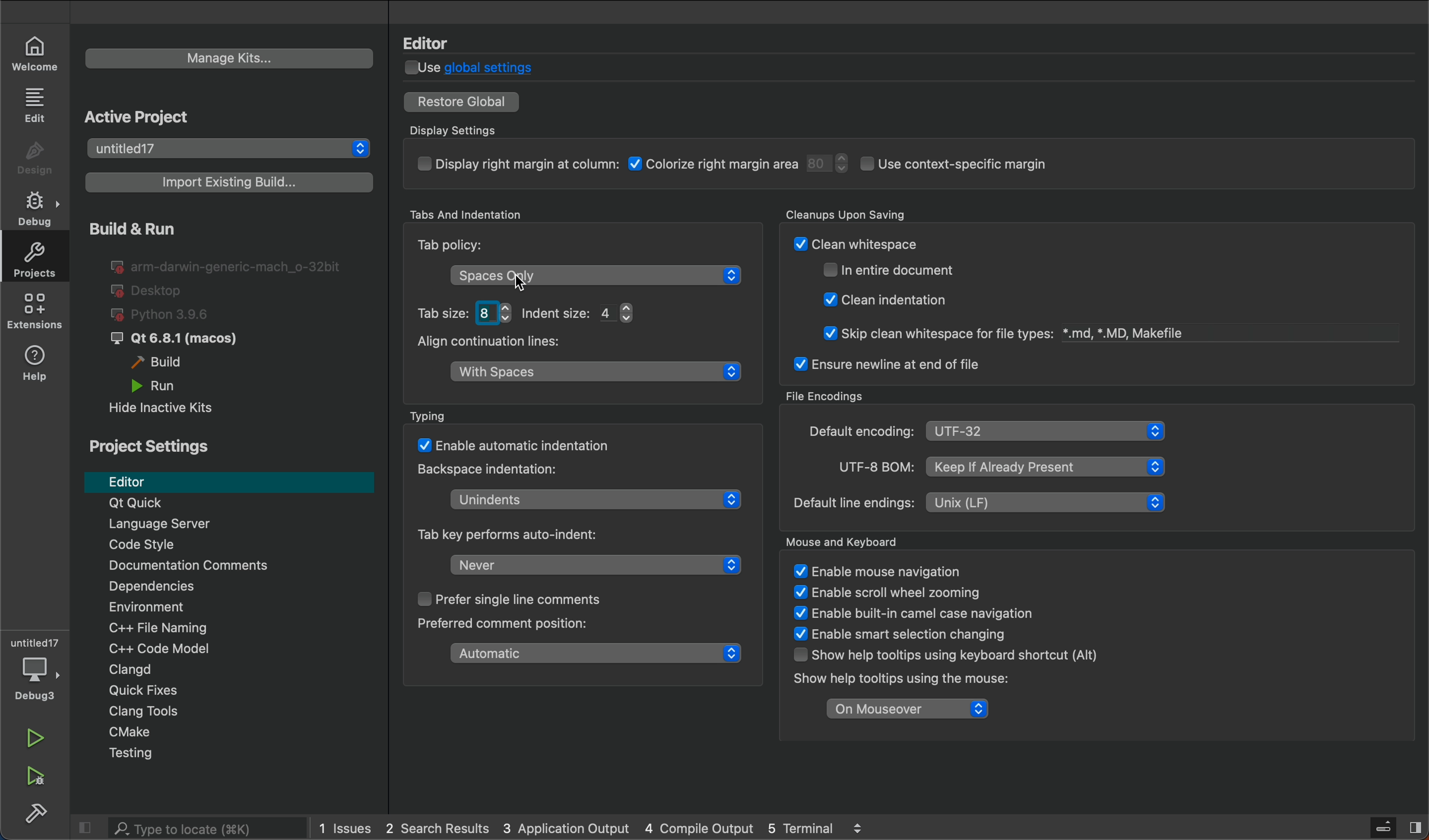 The height and width of the screenshot is (840, 1429). Describe the element at coordinates (491, 245) in the screenshot. I see `Tab policy` at that location.